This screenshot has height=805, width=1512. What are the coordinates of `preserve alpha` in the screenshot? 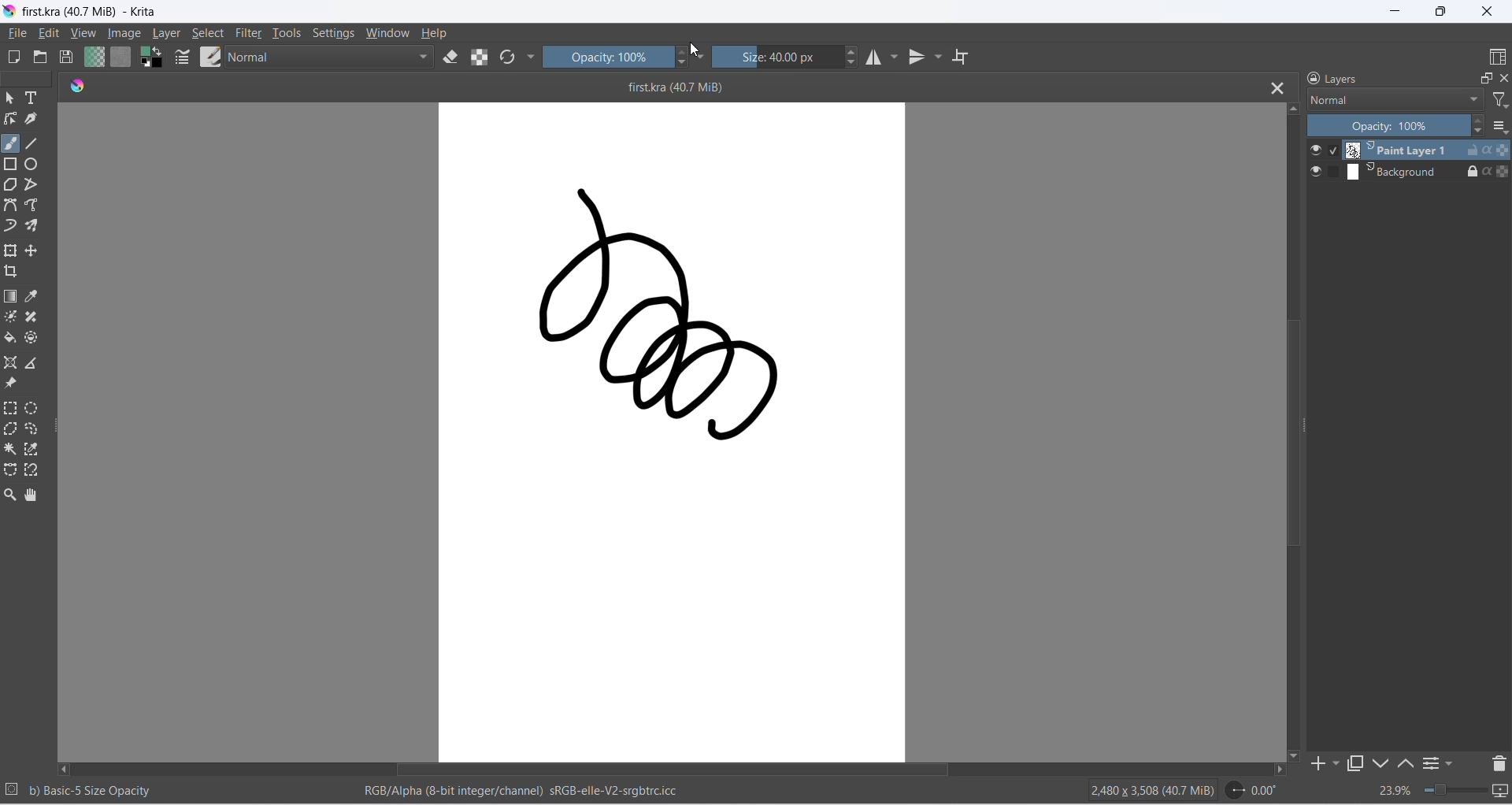 It's located at (480, 57).